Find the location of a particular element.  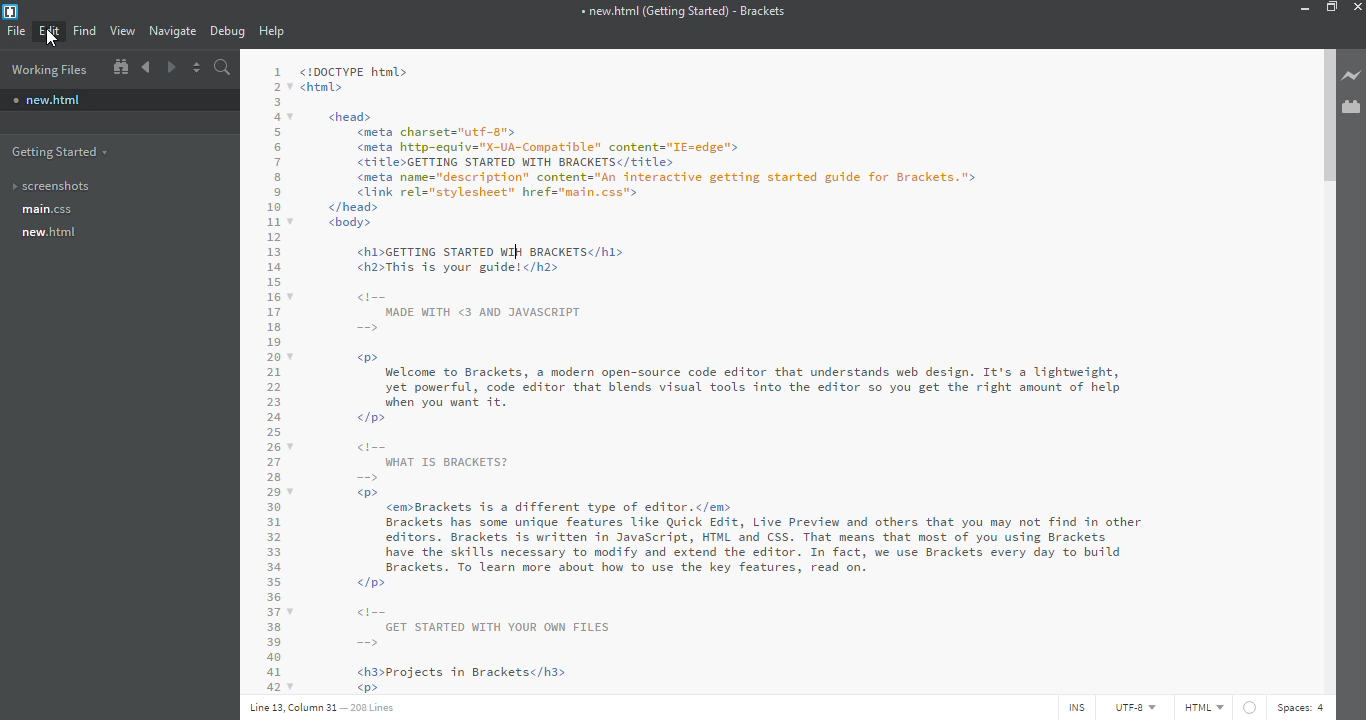

<!DOCTYPE html>
 <heal>
<head>

meta charset-rutf-ars

<heta hitp-equiv="X-U-Conpatible" content="IE-edge">

CEit1e>GETTING STARTED WITH BRACKETS</title>

<meta name="description” content="An interactive getting started guide for Brackets."

<link rel="stylesheet" href="main.css">

<head>

<body>

<hI>GETTING STARTED Wil BRACKETS</h1>

ha>This is your guidet</hz>
Ph

WADE WITH <3 AND JAVASCRIPT
EN is located at coordinates (652, 199).